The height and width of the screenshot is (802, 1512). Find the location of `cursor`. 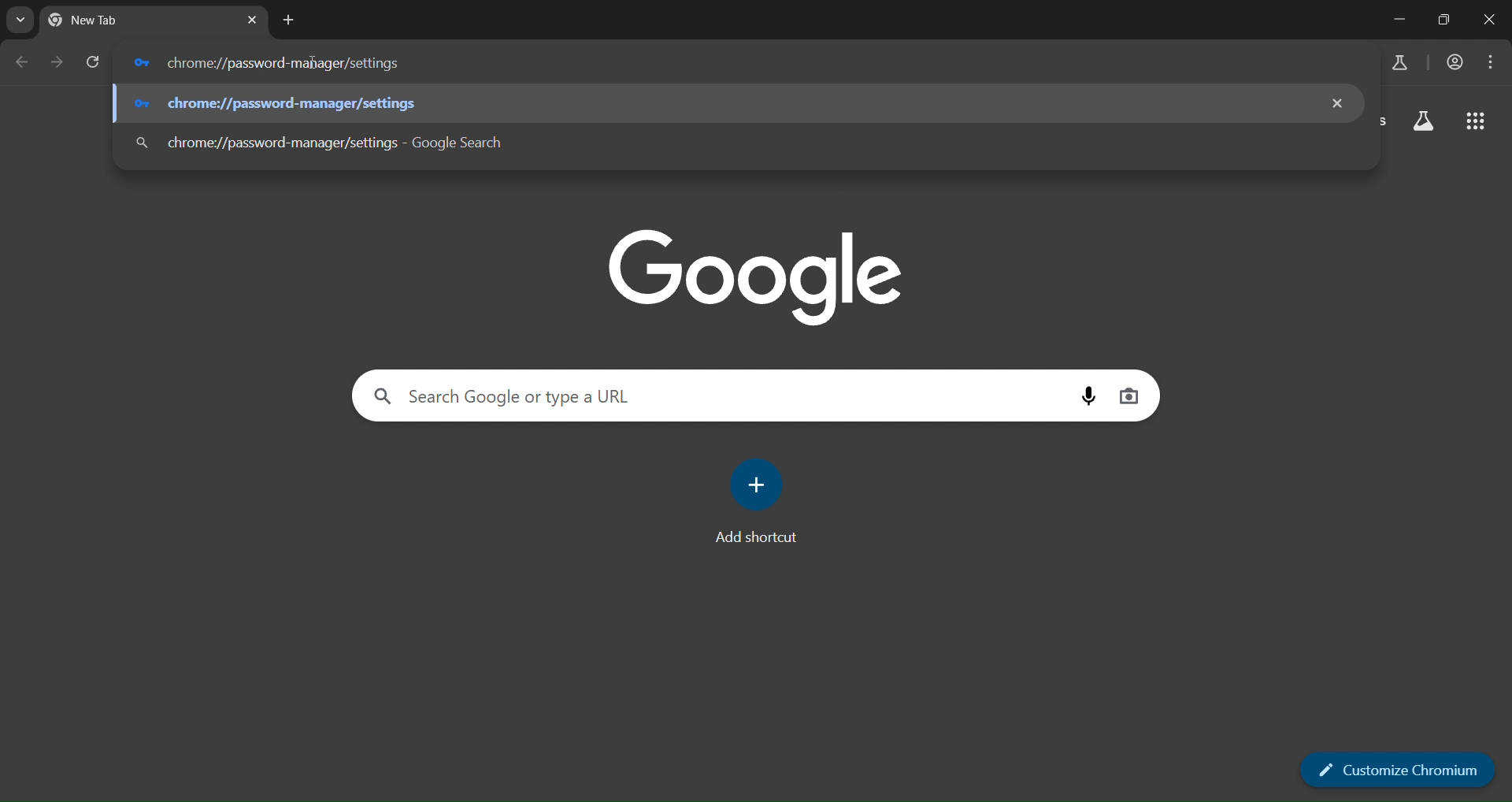

cursor is located at coordinates (317, 65).